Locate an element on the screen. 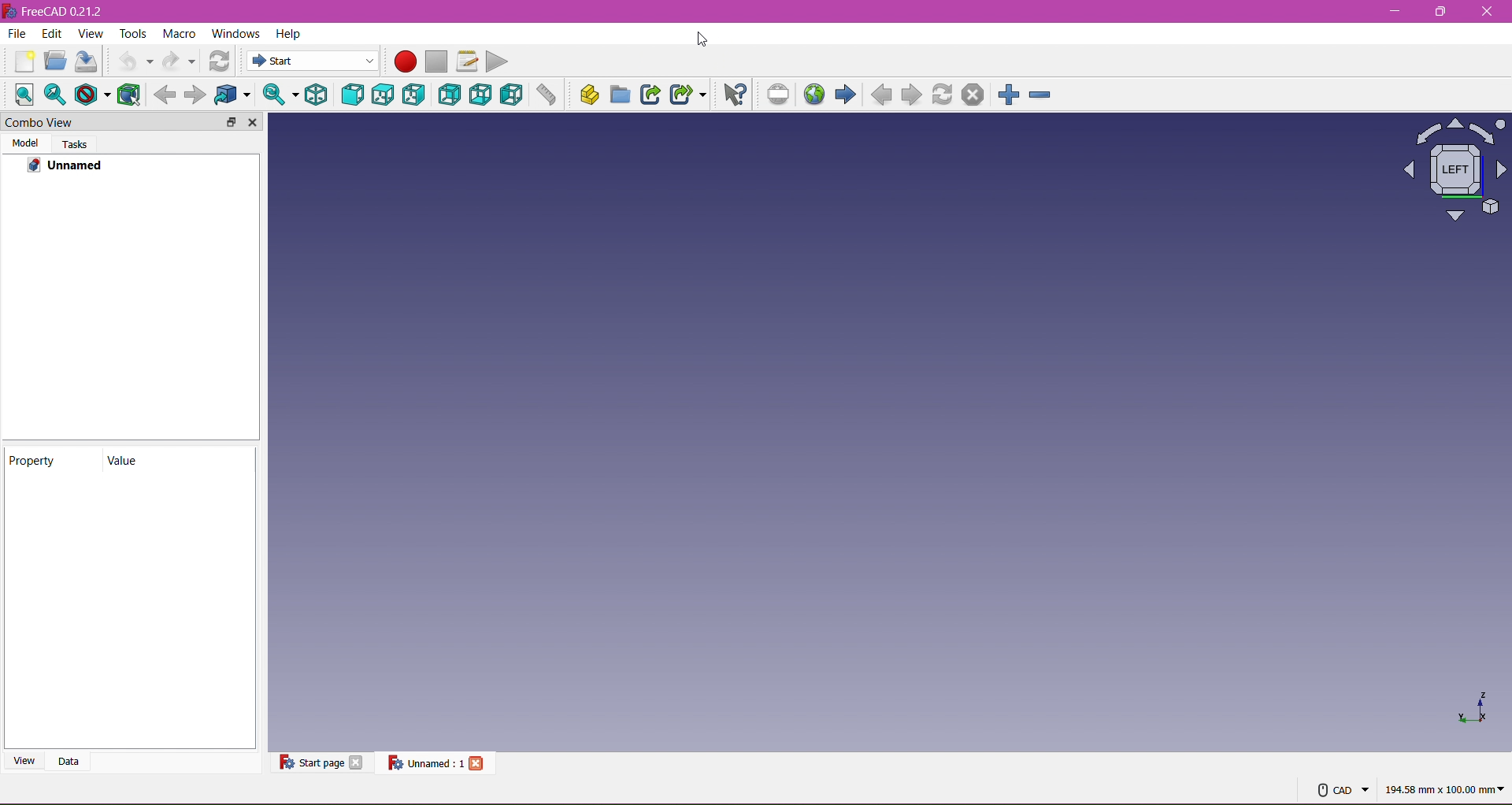 The image size is (1512, 805). Data is located at coordinates (69, 760).